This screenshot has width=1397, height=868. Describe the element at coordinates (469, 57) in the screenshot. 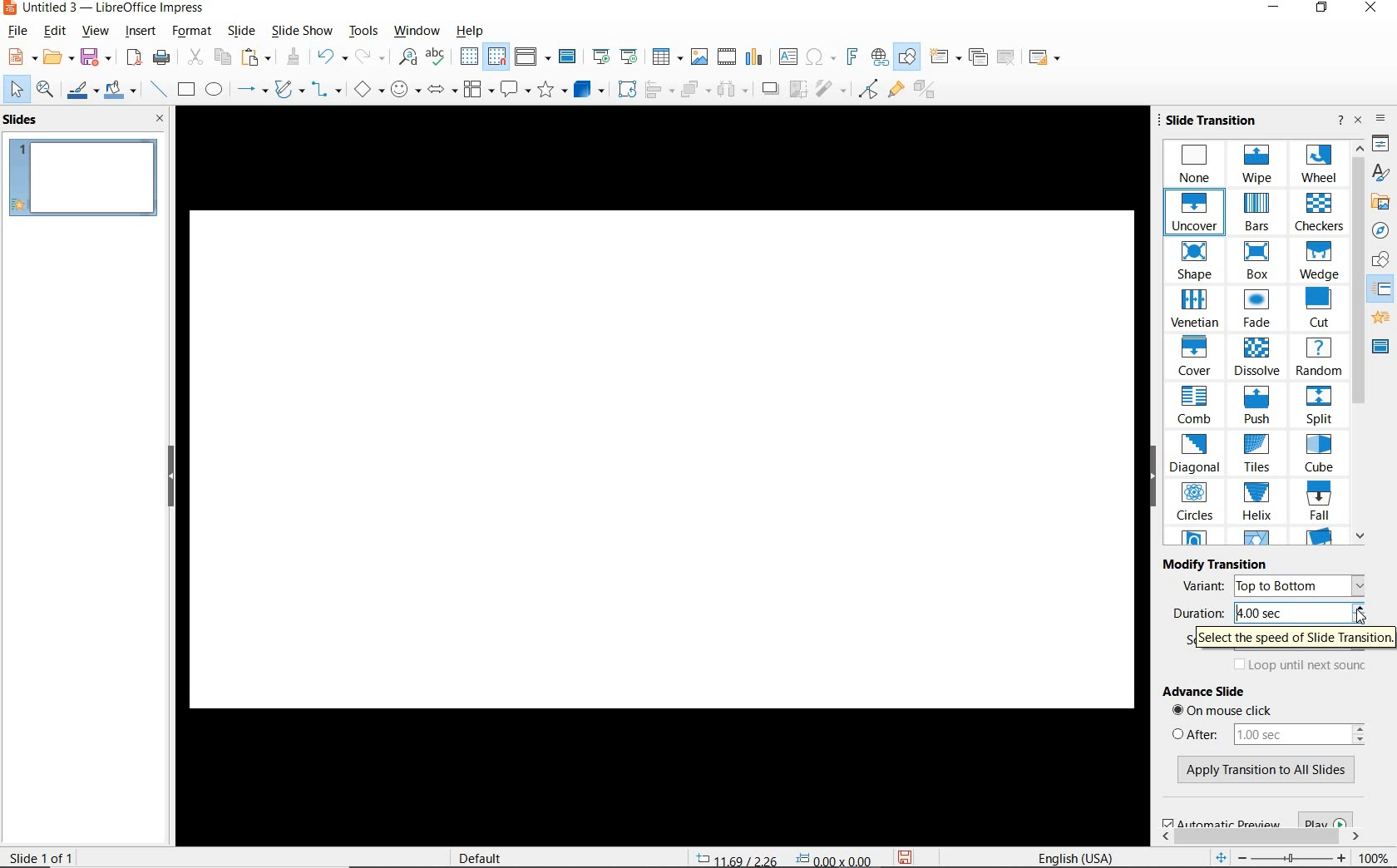

I see `DISPLAY GRID` at that location.